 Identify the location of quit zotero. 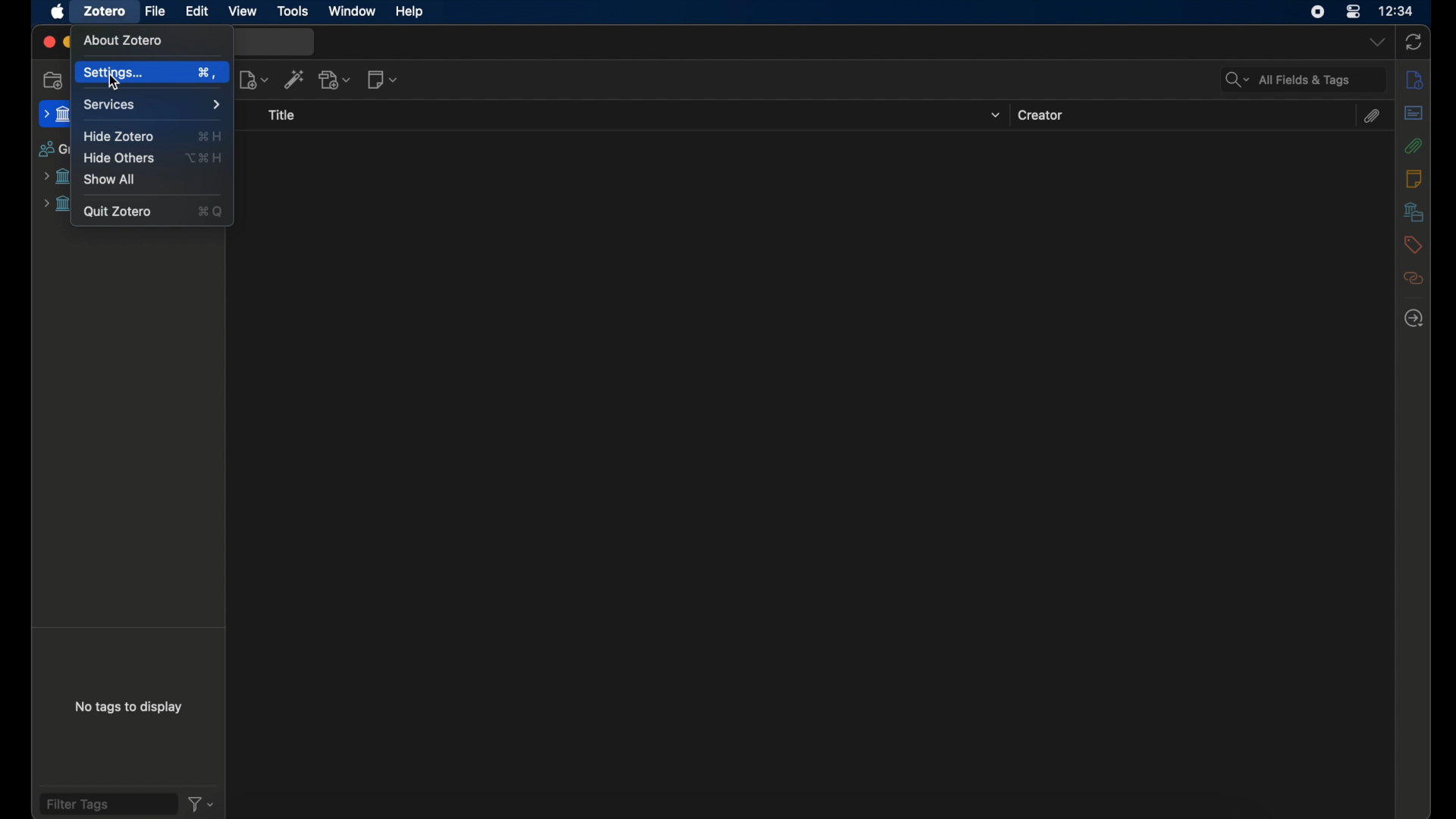
(119, 213).